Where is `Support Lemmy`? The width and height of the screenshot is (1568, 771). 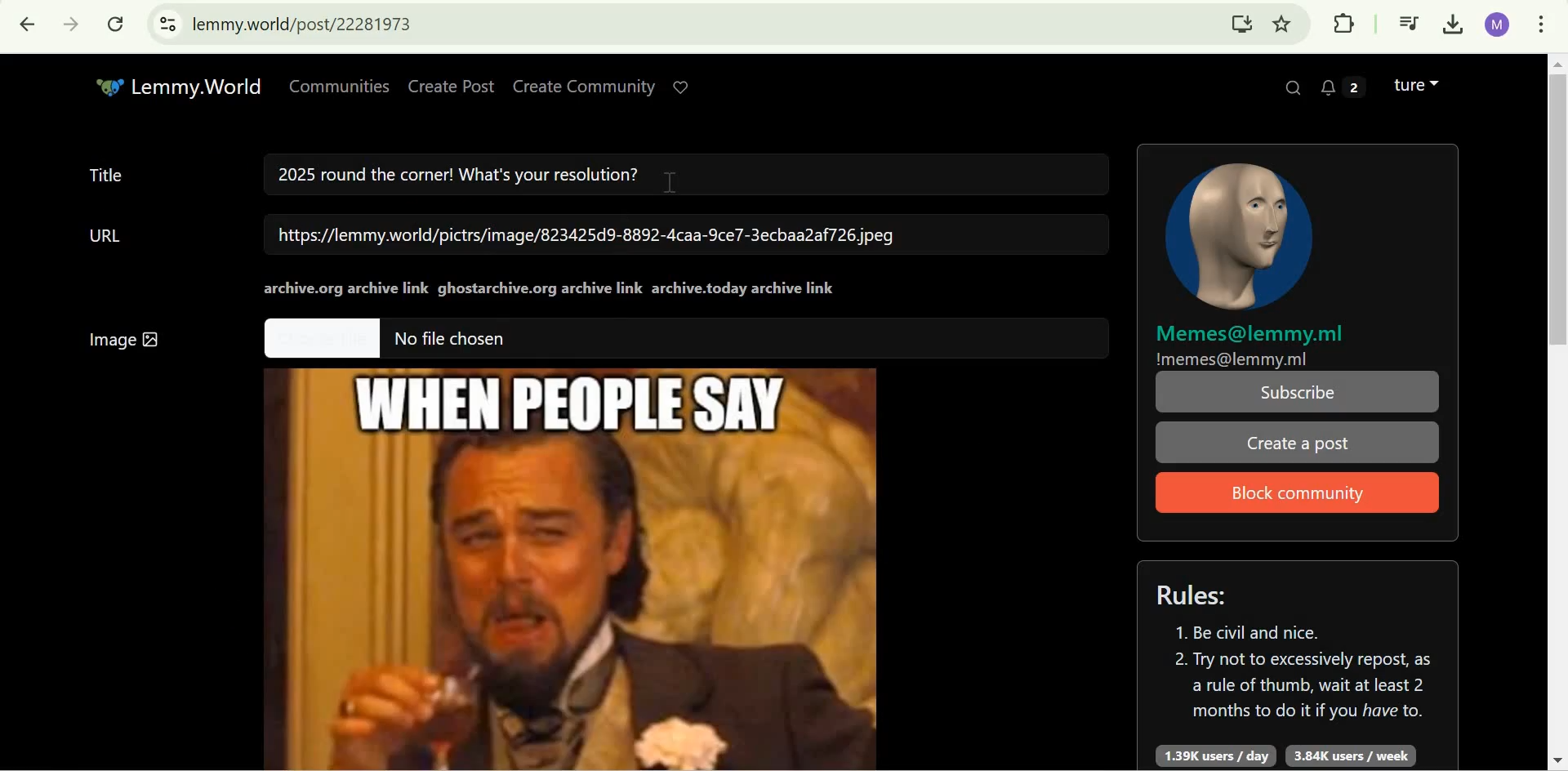
Support Lemmy is located at coordinates (683, 87).